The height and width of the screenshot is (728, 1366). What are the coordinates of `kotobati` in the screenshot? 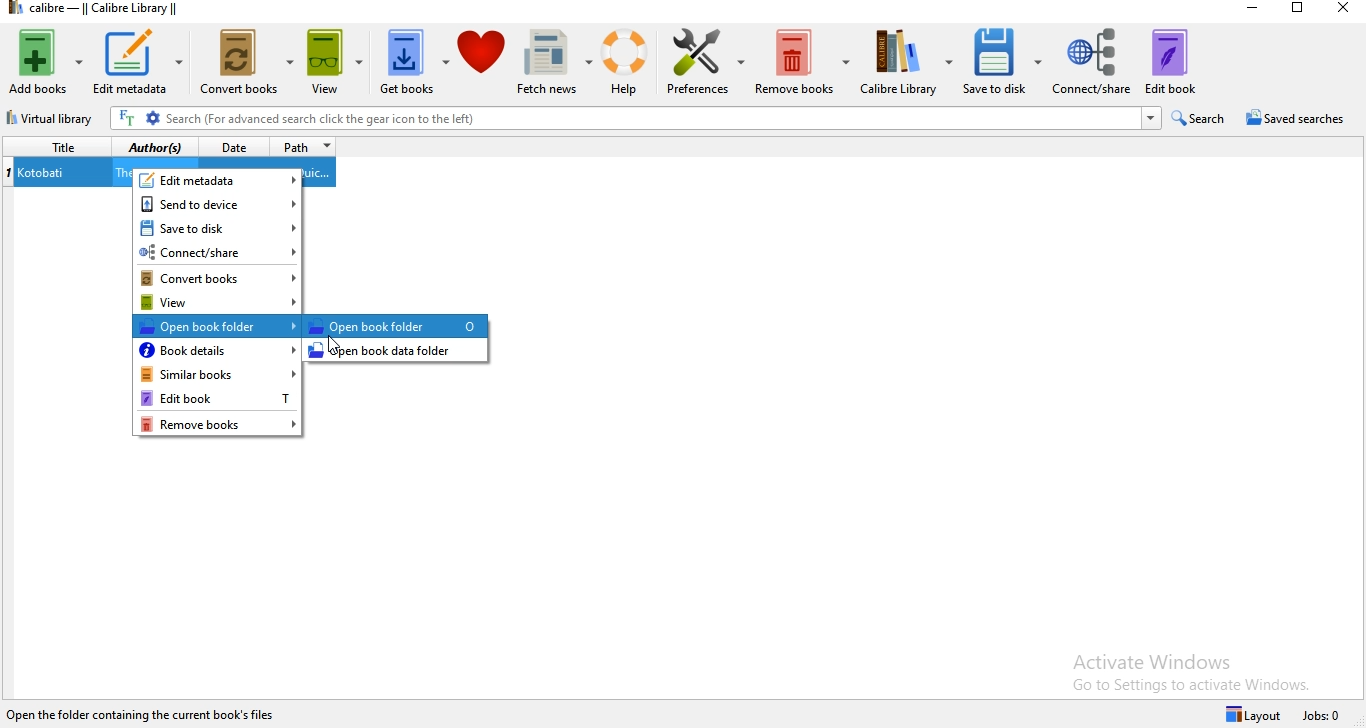 It's located at (47, 174).